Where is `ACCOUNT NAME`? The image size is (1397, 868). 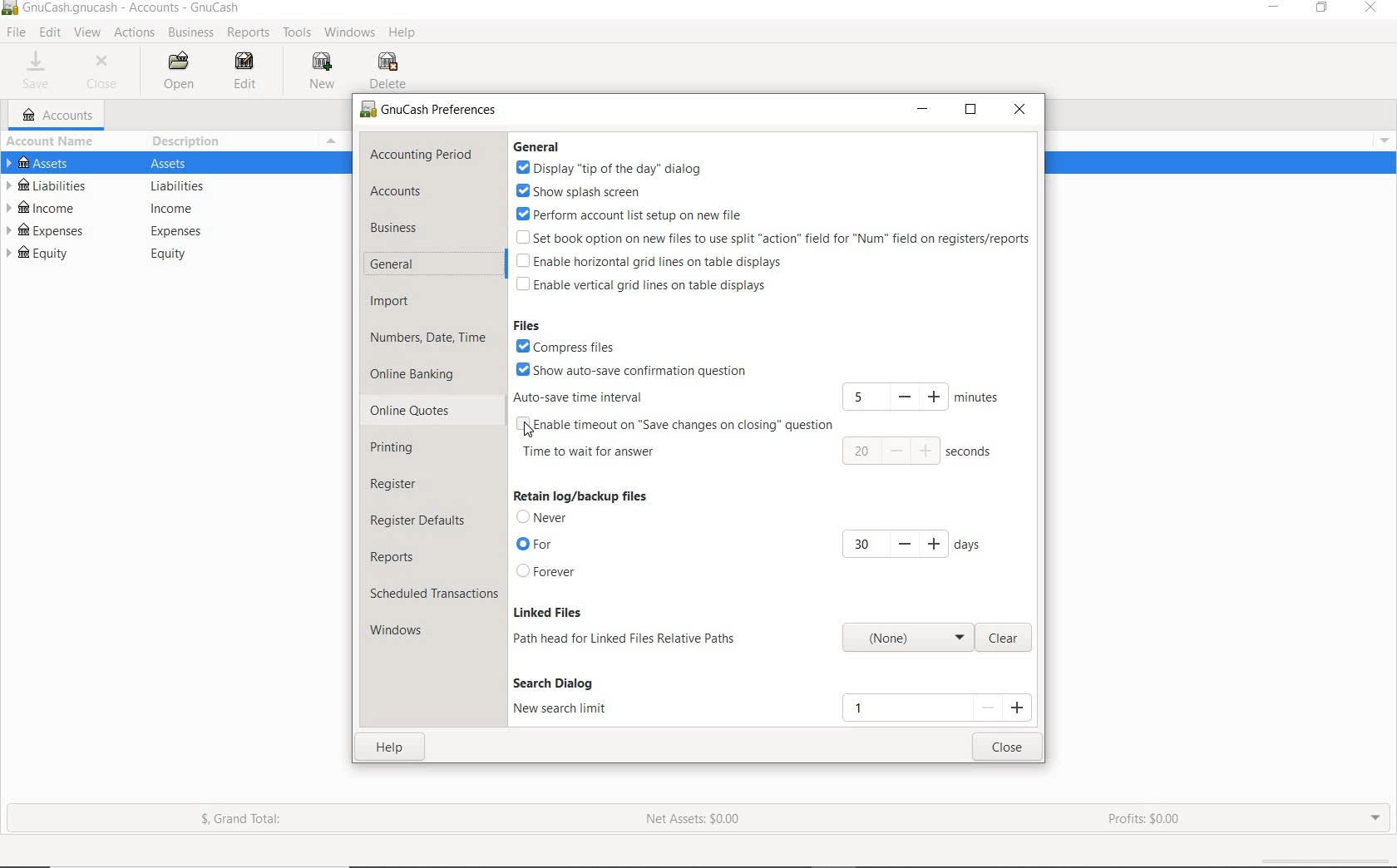
ACCOUNT NAME is located at coordinates (50, 142).